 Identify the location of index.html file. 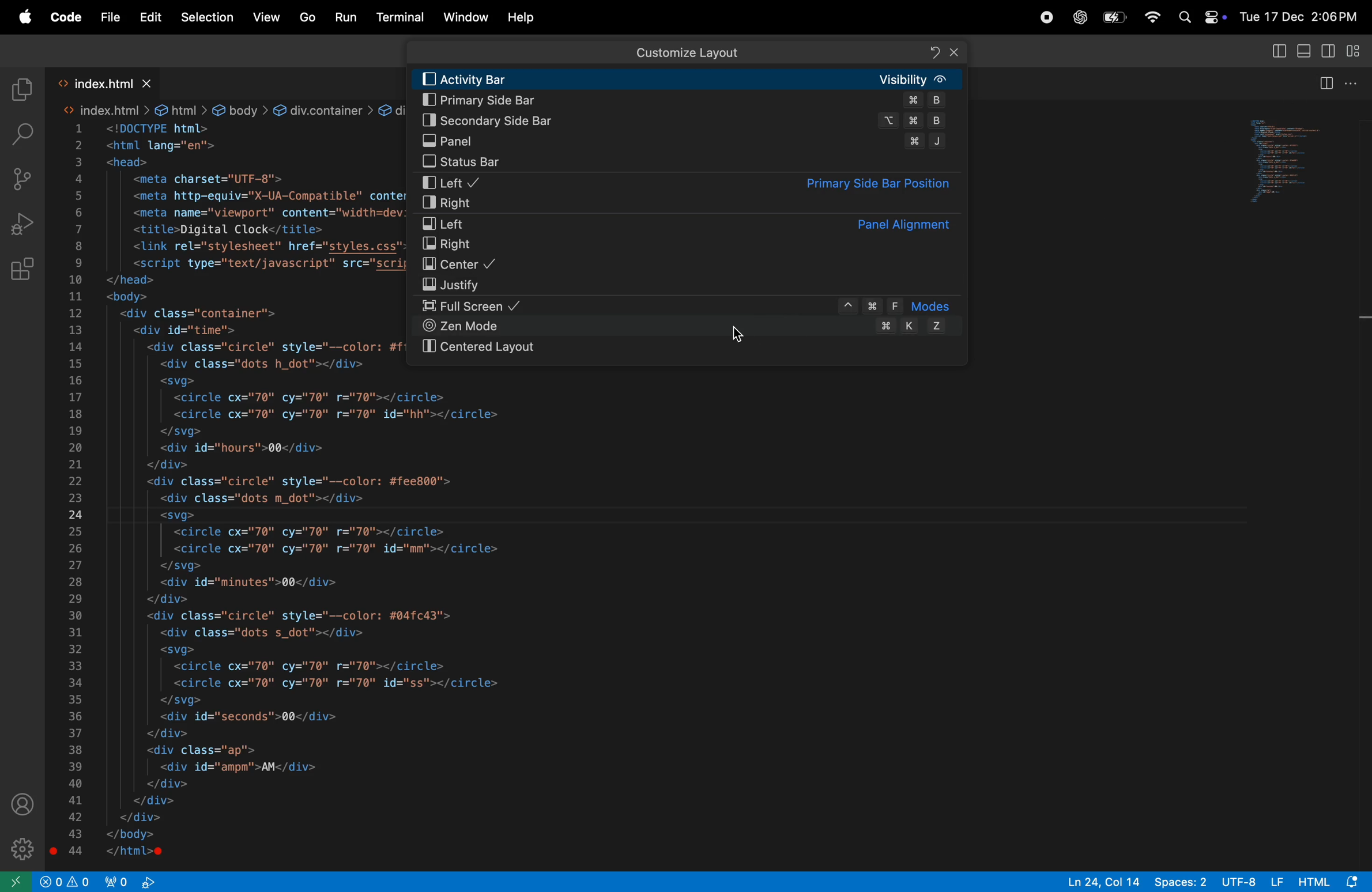
(105, 83).